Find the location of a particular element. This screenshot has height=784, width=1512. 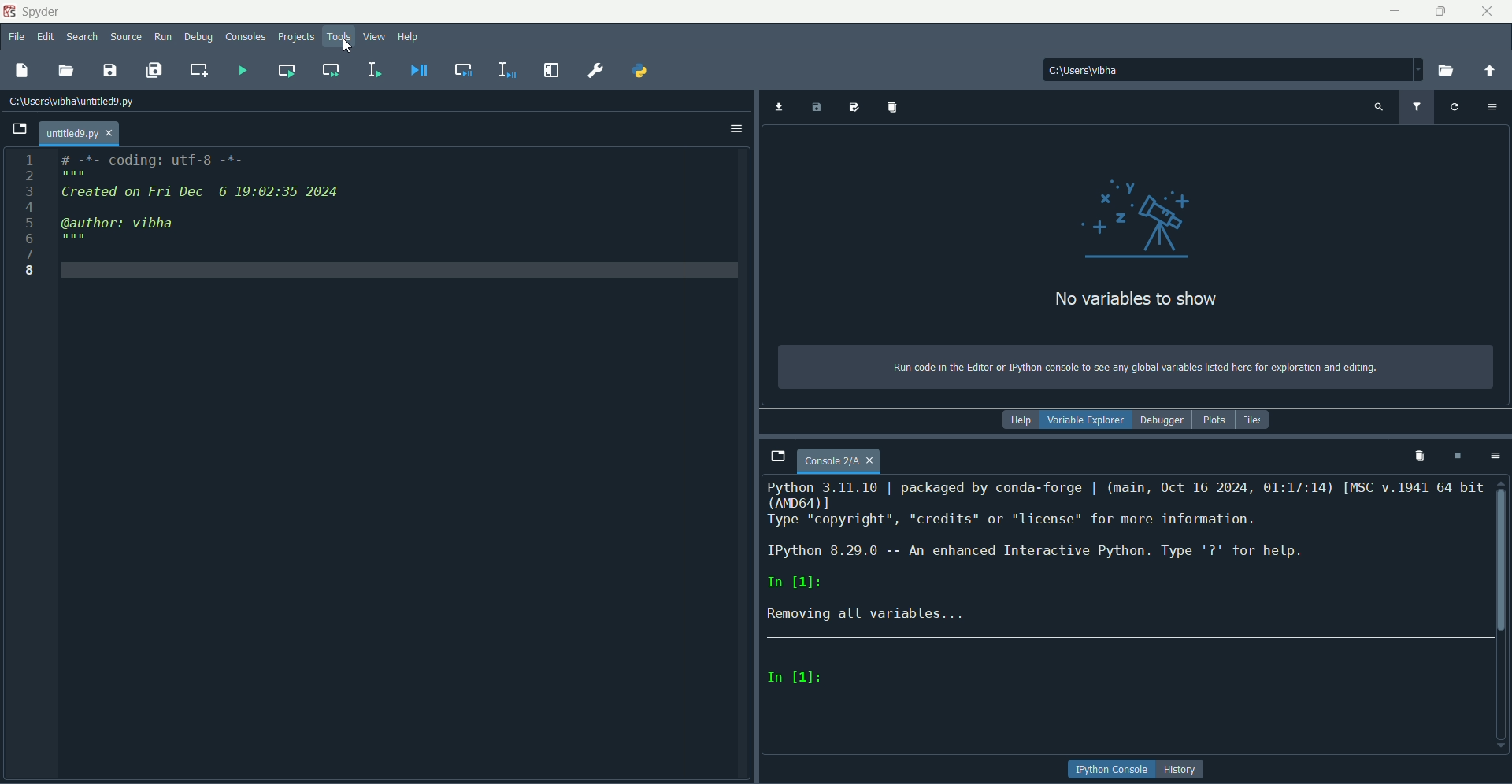

name & logo is located at coordinates (33, 11).